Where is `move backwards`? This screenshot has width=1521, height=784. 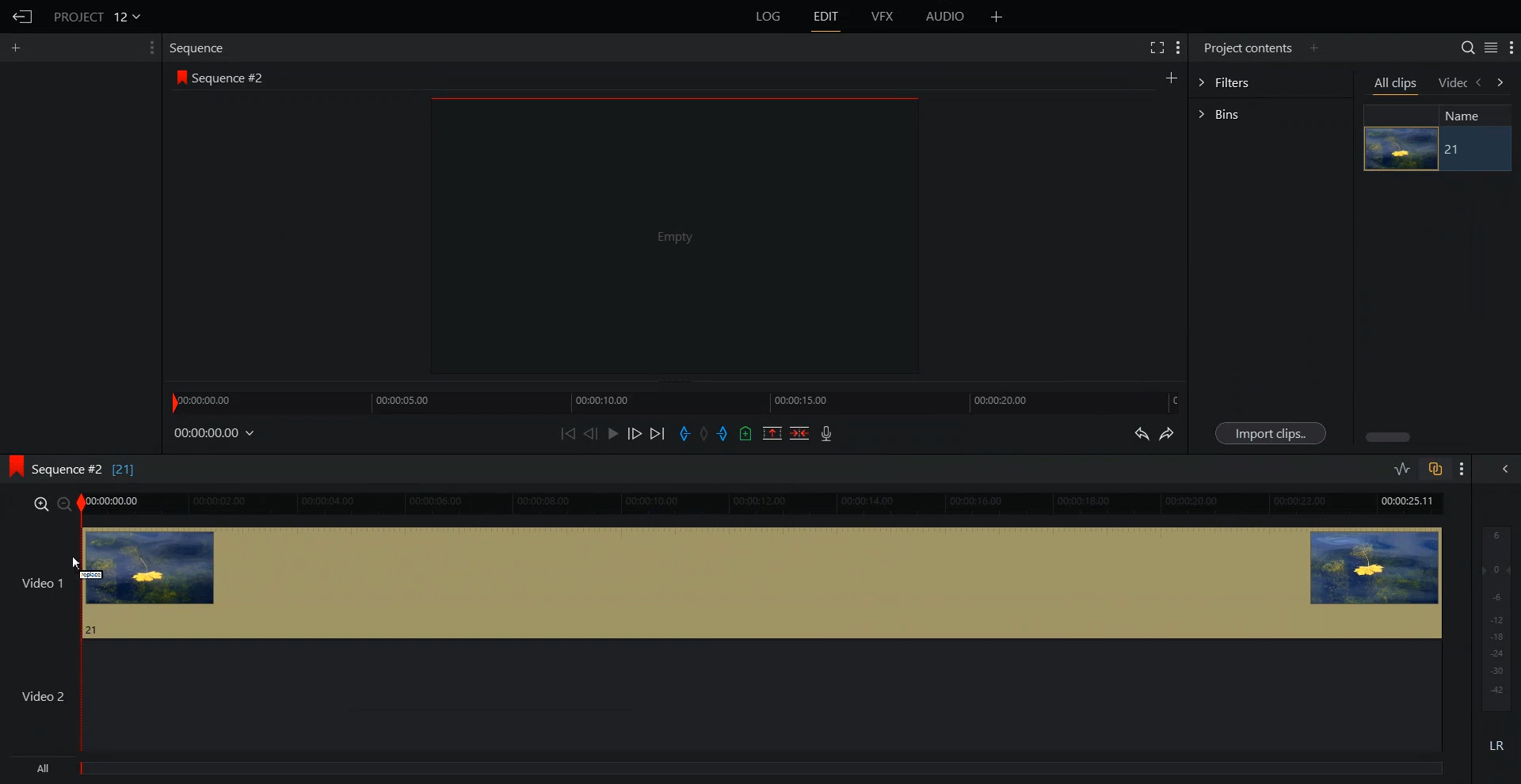 move backwards is located at coordinates (1480, 83).